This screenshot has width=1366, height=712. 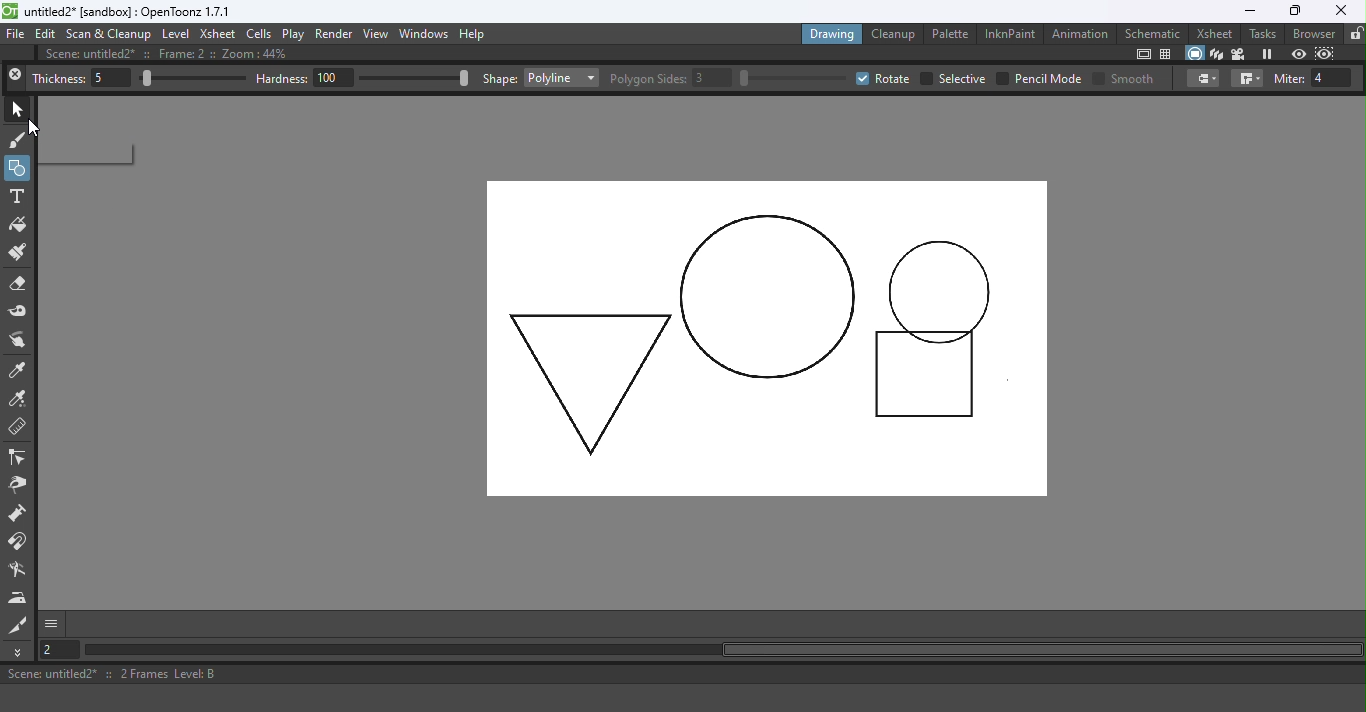 I want to click on GUI show/hide, so click(x=53, y=624).